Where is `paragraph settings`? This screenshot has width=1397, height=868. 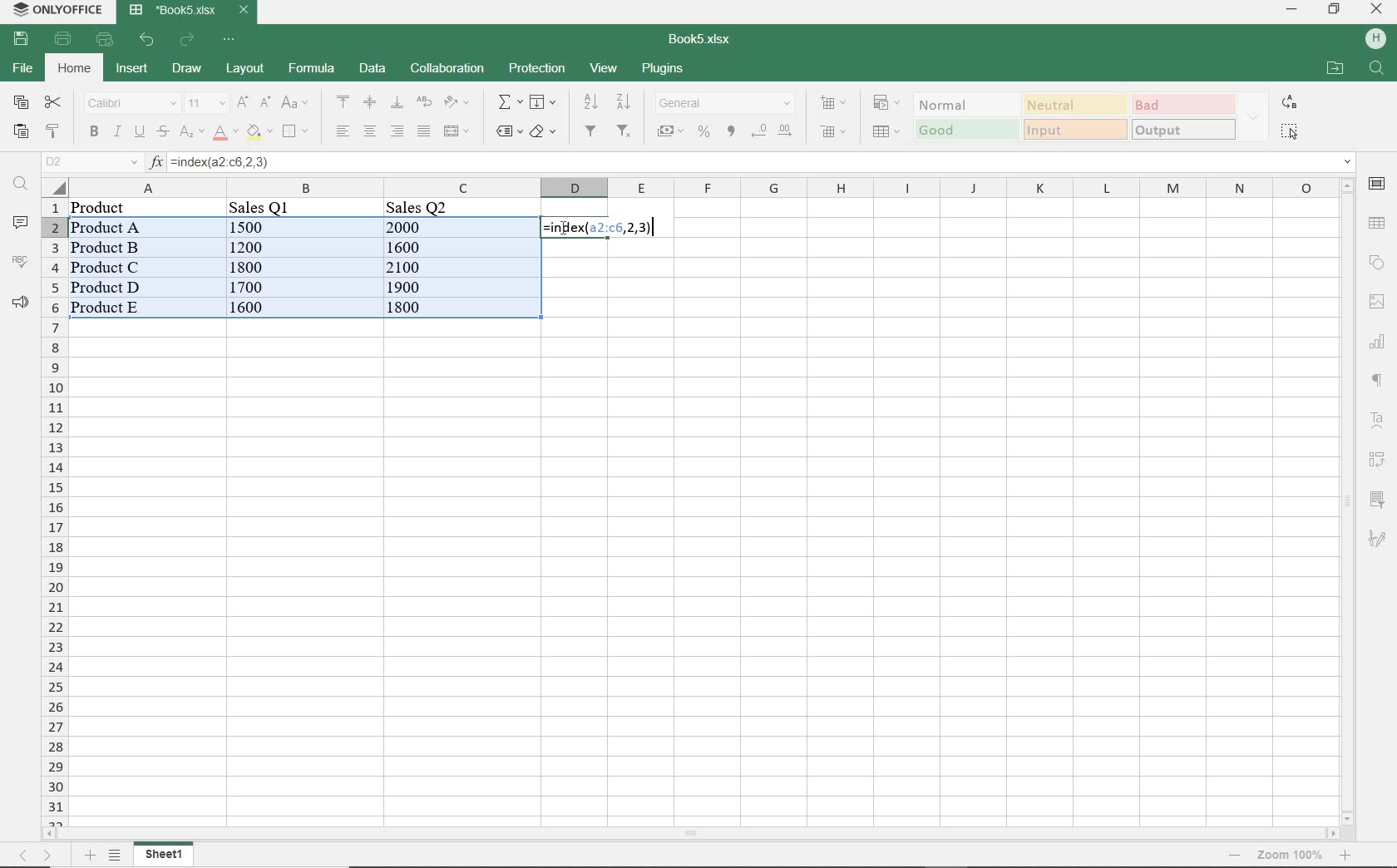
paragraph settings is located at coordinates (1377, 382).